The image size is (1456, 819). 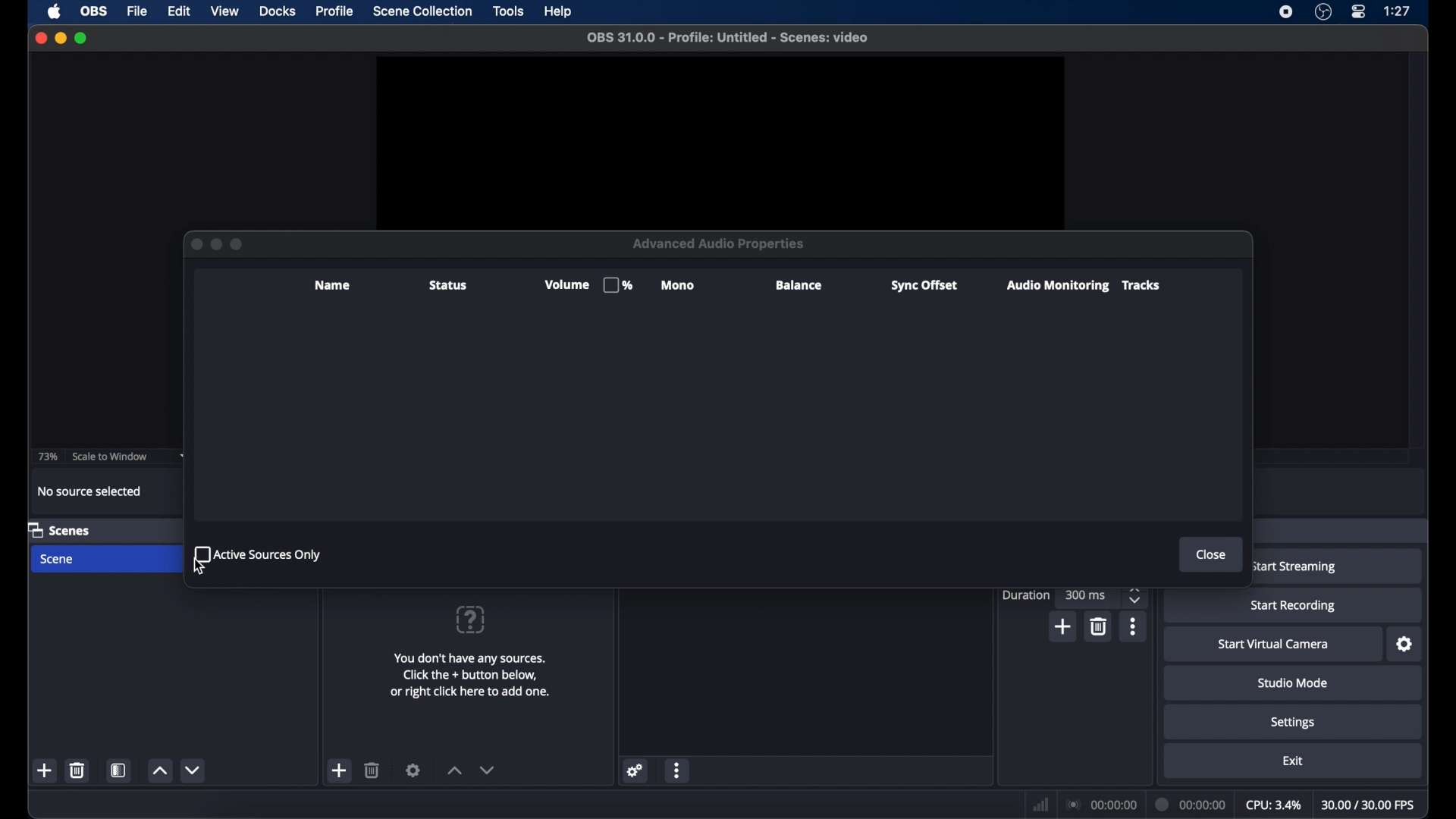 I want to click on no source selected, so click(x=92, y=491).